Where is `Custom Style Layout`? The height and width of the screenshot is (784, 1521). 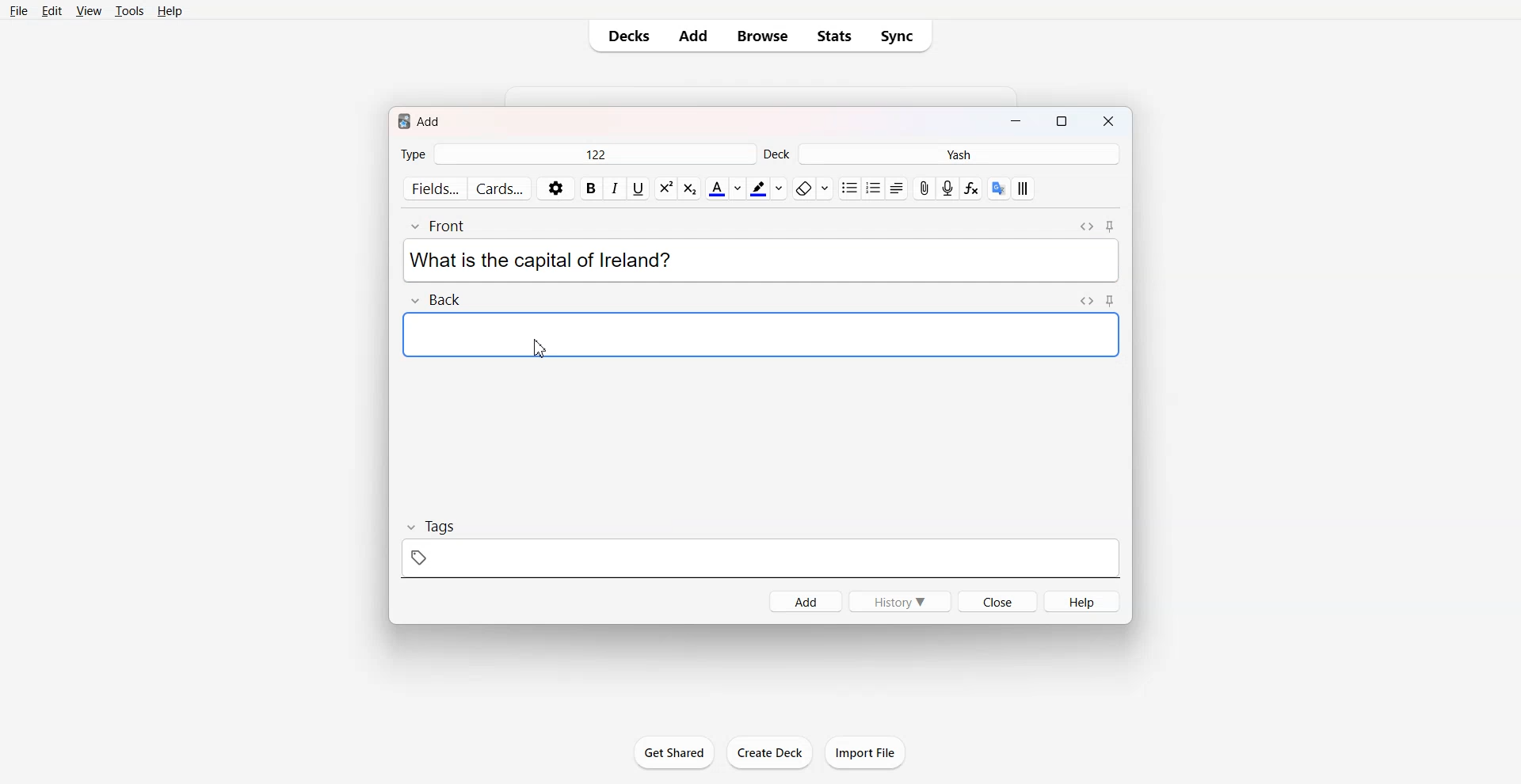 Custom Style Layout is located at coordinates (1024, 188).